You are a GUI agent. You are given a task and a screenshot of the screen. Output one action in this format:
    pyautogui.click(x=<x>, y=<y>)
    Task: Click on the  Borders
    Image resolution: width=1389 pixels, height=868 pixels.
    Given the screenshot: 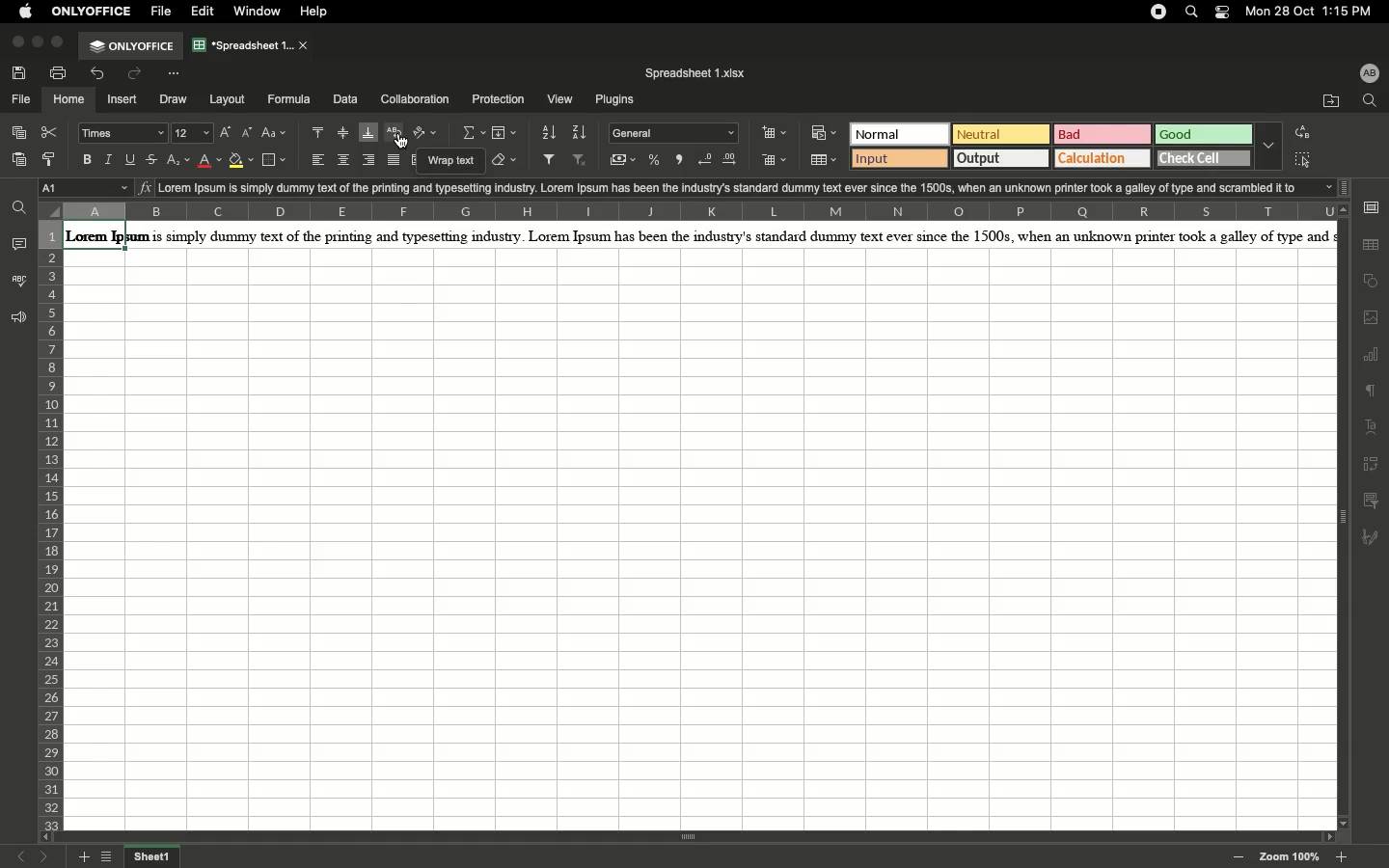 What is the action you would take?
    pyautogui.click(x=277, y=160)
    